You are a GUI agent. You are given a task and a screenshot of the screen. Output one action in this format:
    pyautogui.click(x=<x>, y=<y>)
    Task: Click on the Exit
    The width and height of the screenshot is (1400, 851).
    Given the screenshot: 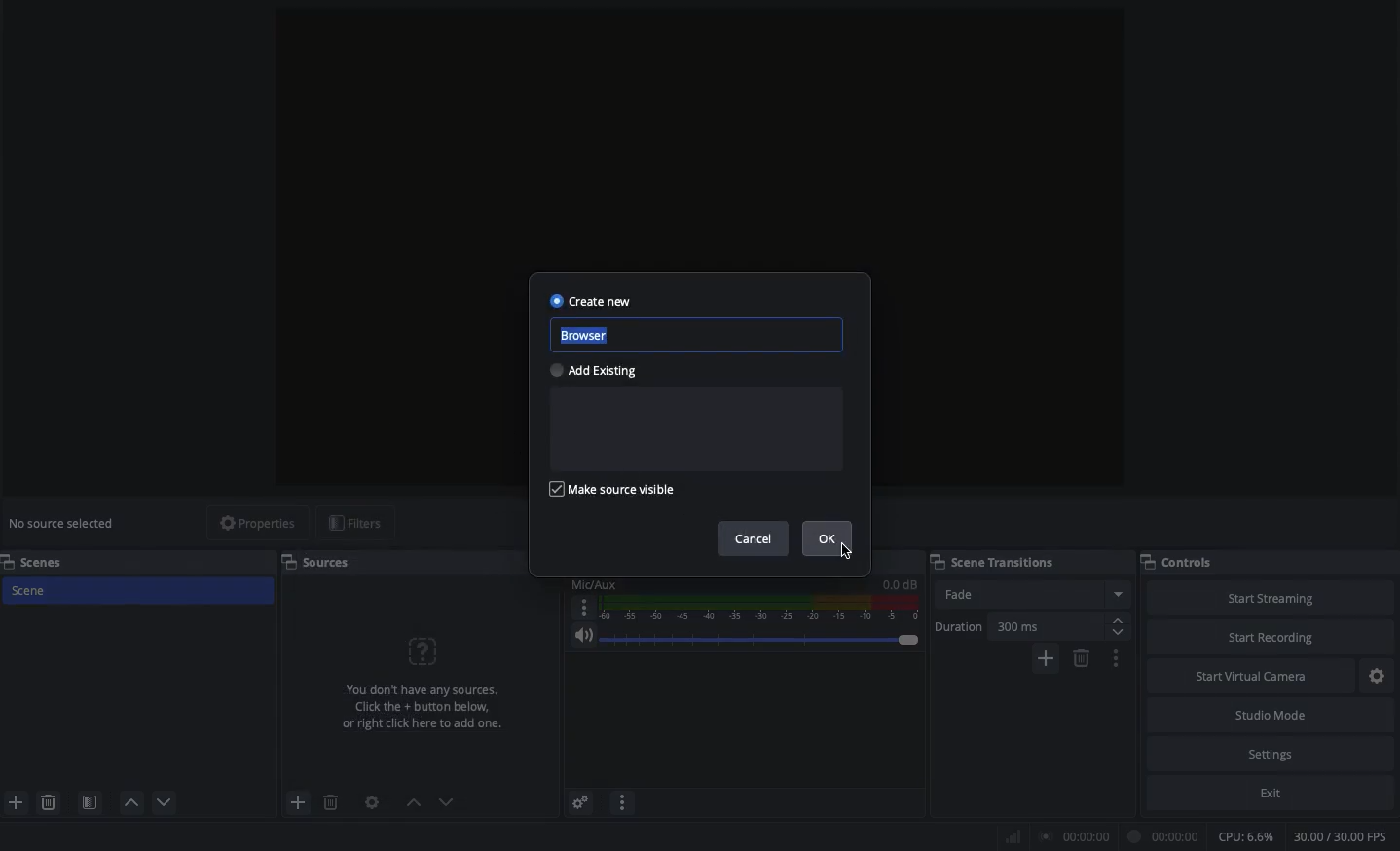 What is the action you would take?
    pyautogui.click(x=1270, y=794)
    